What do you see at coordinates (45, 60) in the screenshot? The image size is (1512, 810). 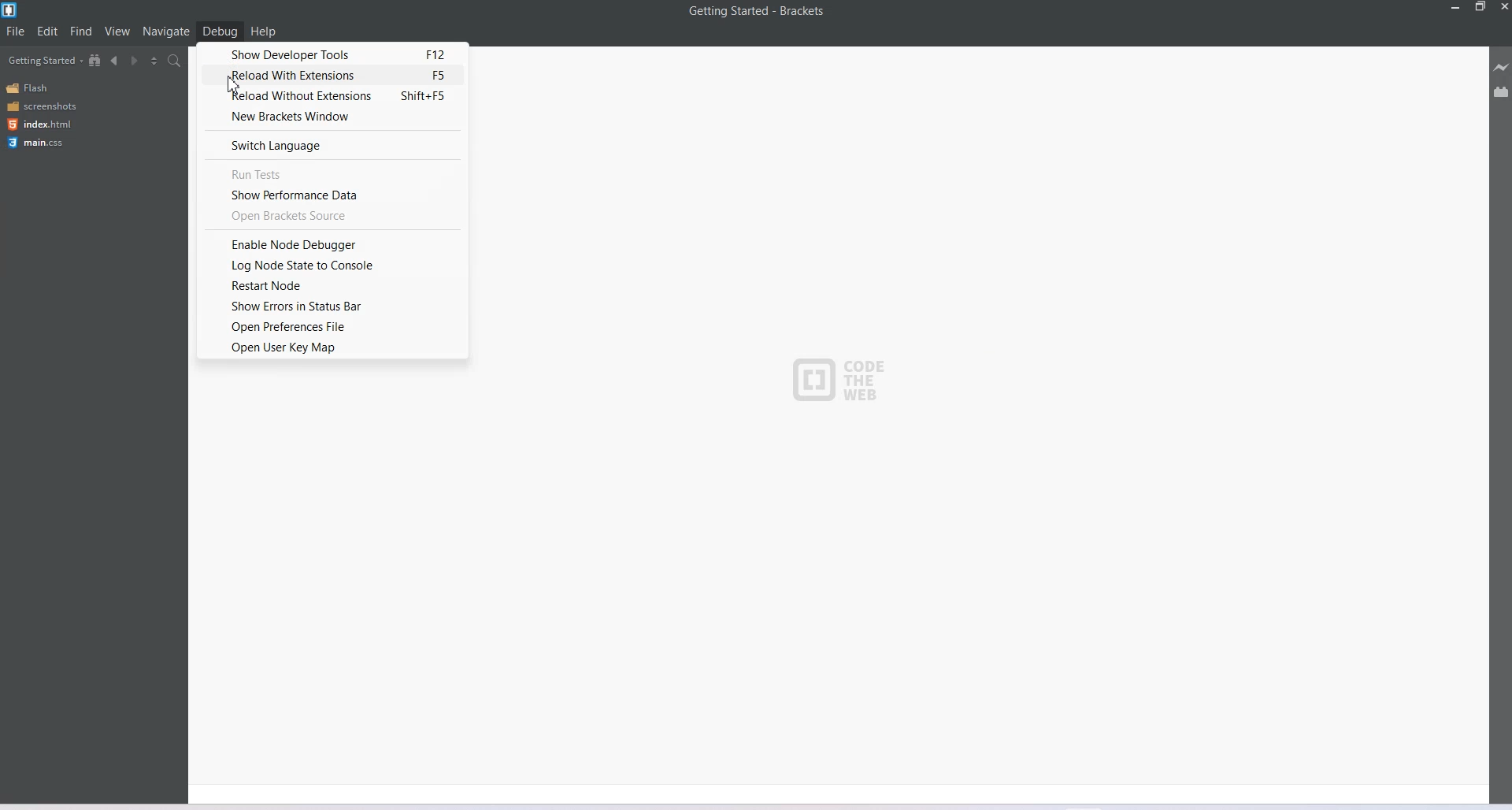 I see `Getting Started` at bounding box center [45, 60].